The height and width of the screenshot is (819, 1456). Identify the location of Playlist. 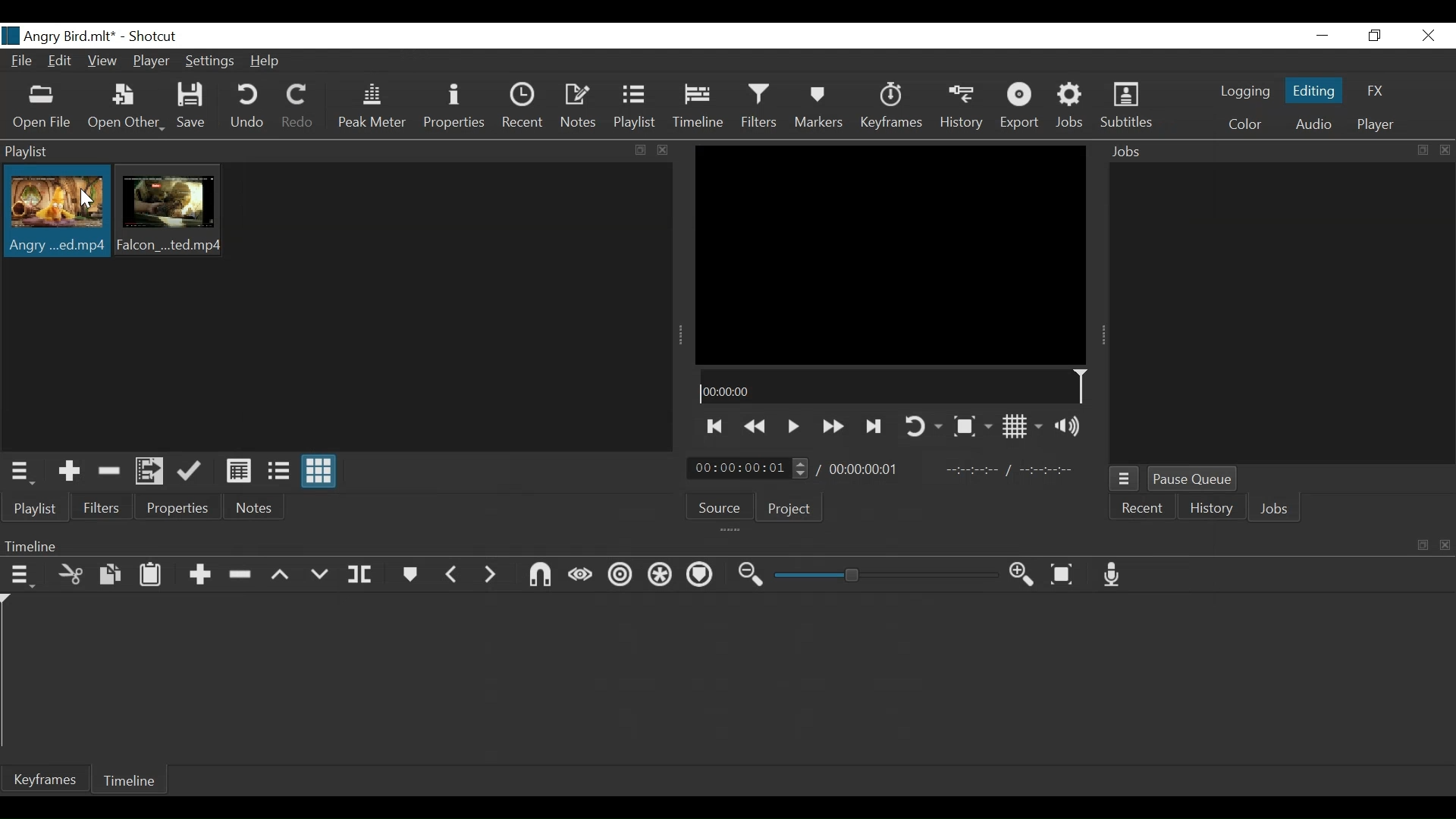
(638, 106).